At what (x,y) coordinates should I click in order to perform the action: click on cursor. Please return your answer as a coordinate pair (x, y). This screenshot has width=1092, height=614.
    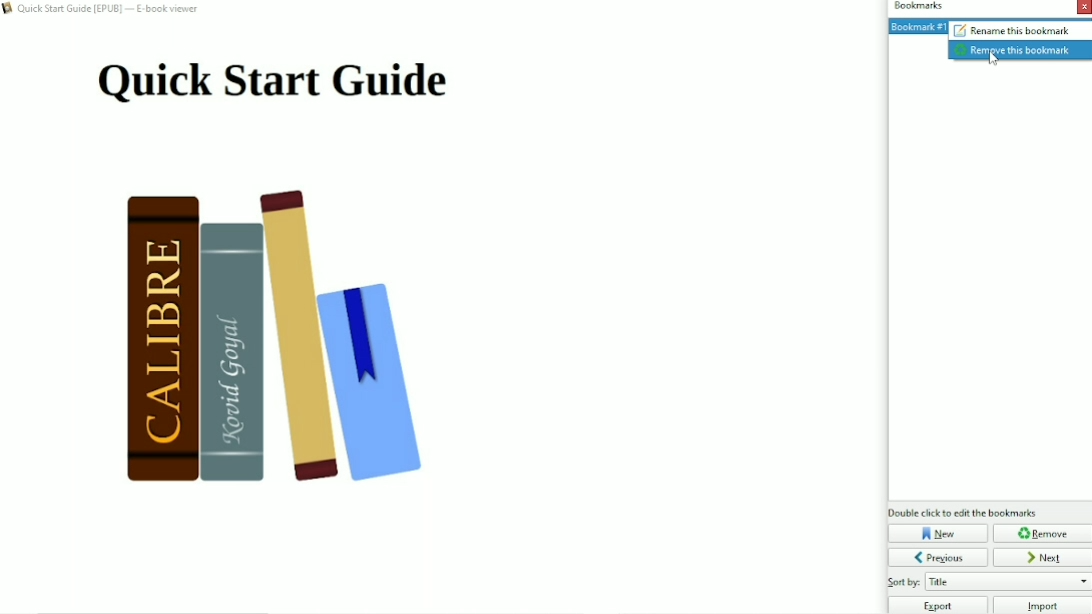
    Looking at the image, I should click on (995, 58).